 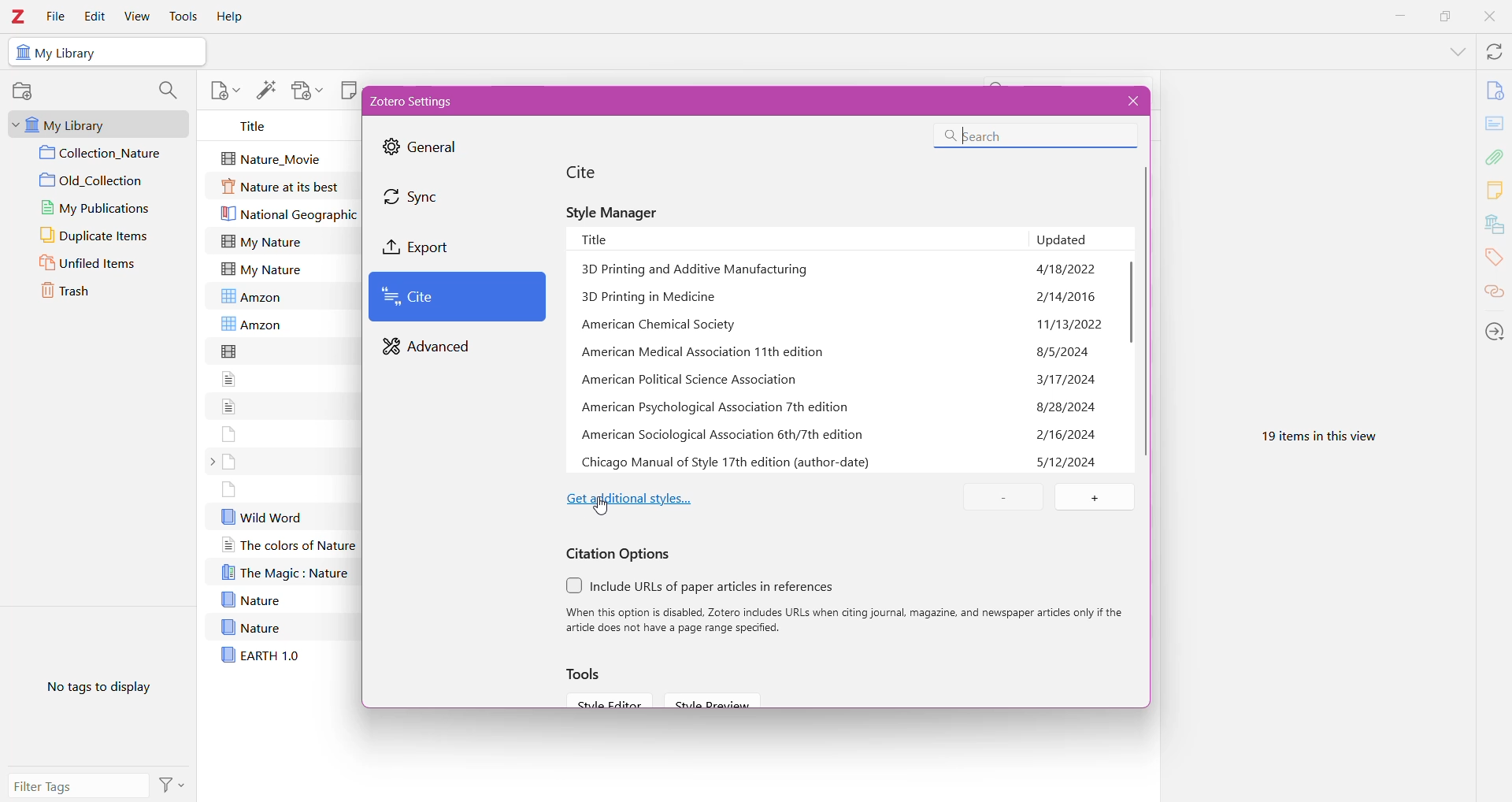 What do you see at coordinates (574, 585) in the screenshot?
I see `Checkbox ` at bounding box center [574, 585].